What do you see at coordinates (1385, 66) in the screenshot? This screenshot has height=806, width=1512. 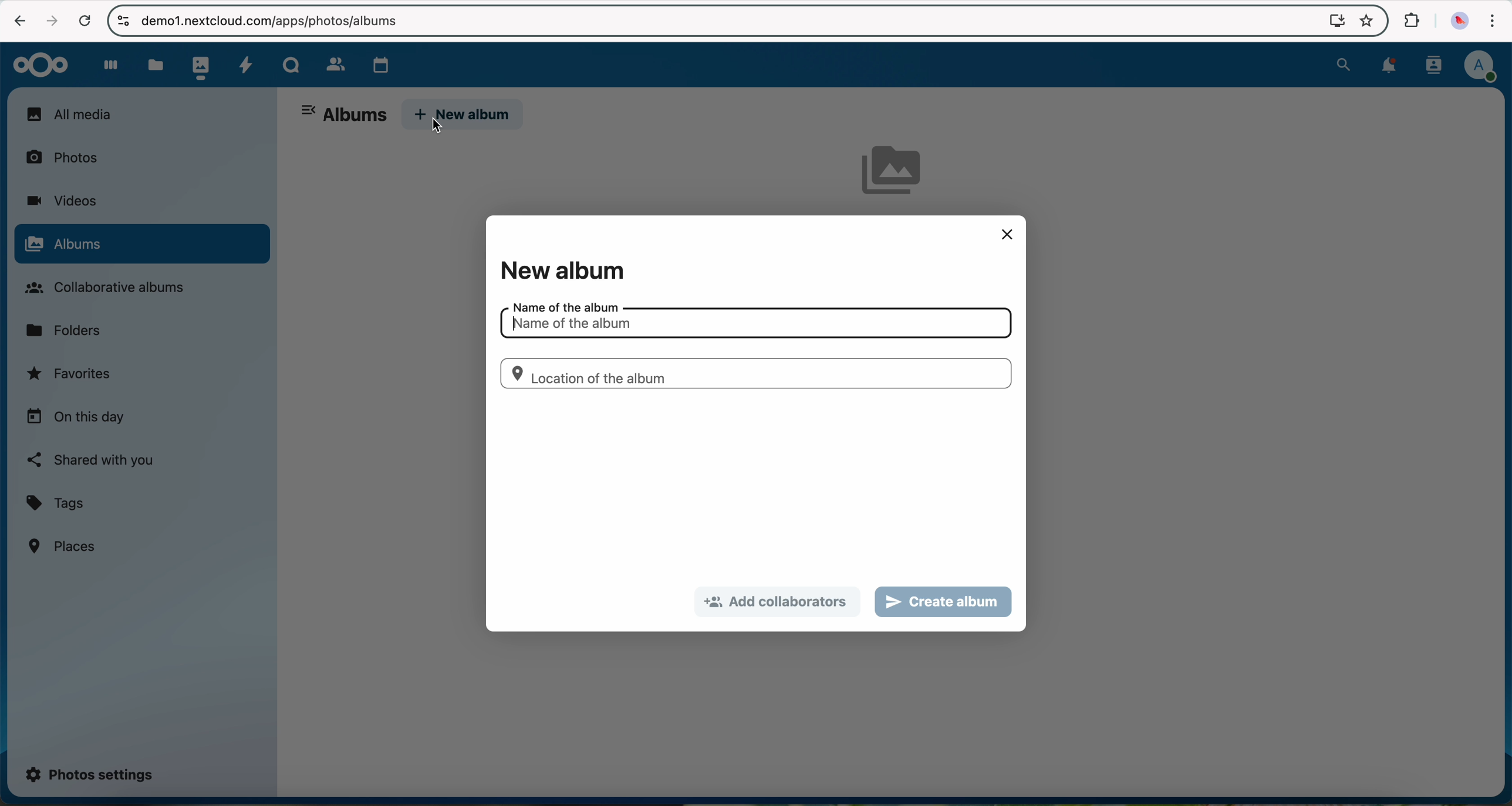 I see `notifications` at bounding box center [1385, 66].